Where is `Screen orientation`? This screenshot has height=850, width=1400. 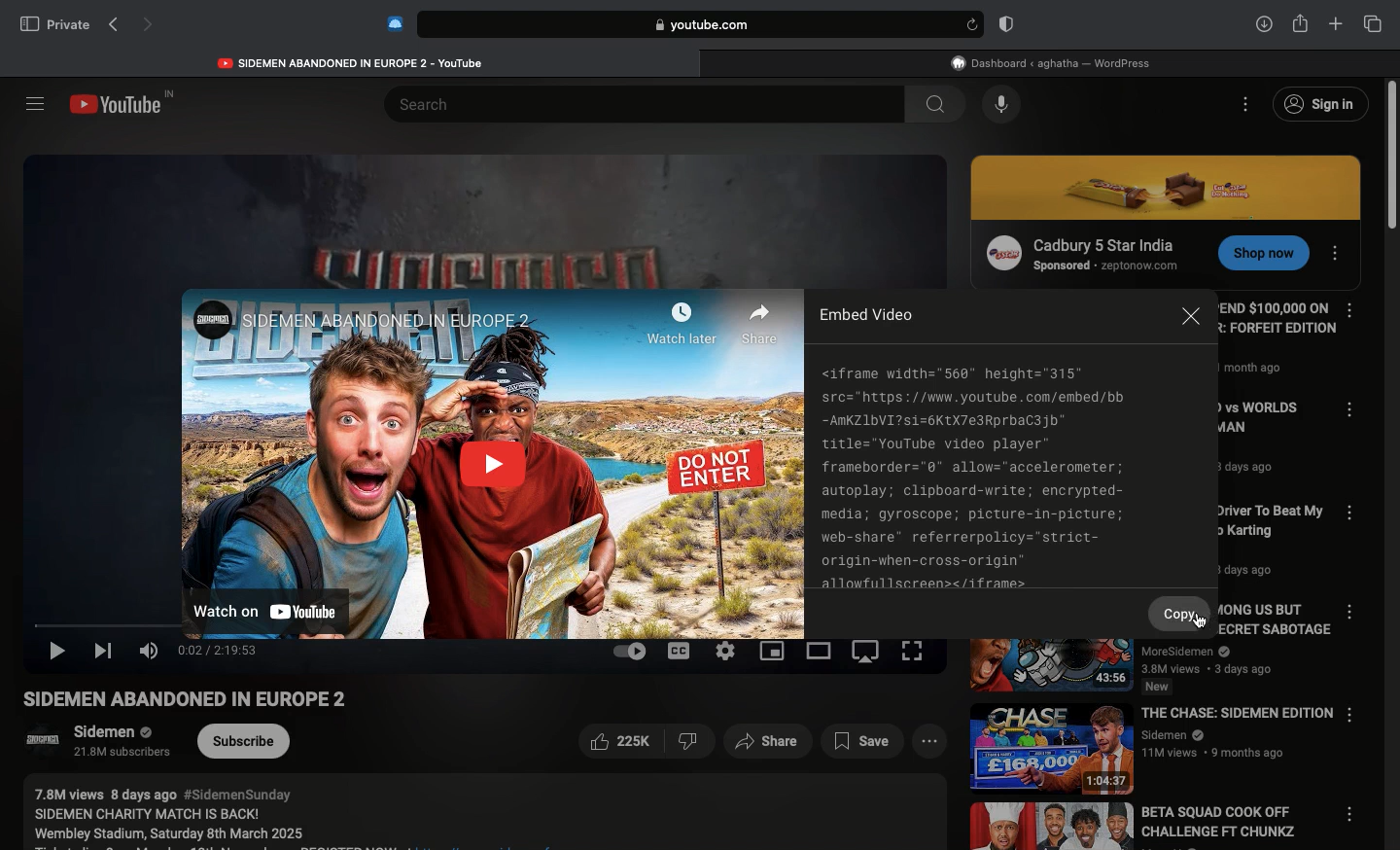
Screen orientation is located at coordinates (869, 655).